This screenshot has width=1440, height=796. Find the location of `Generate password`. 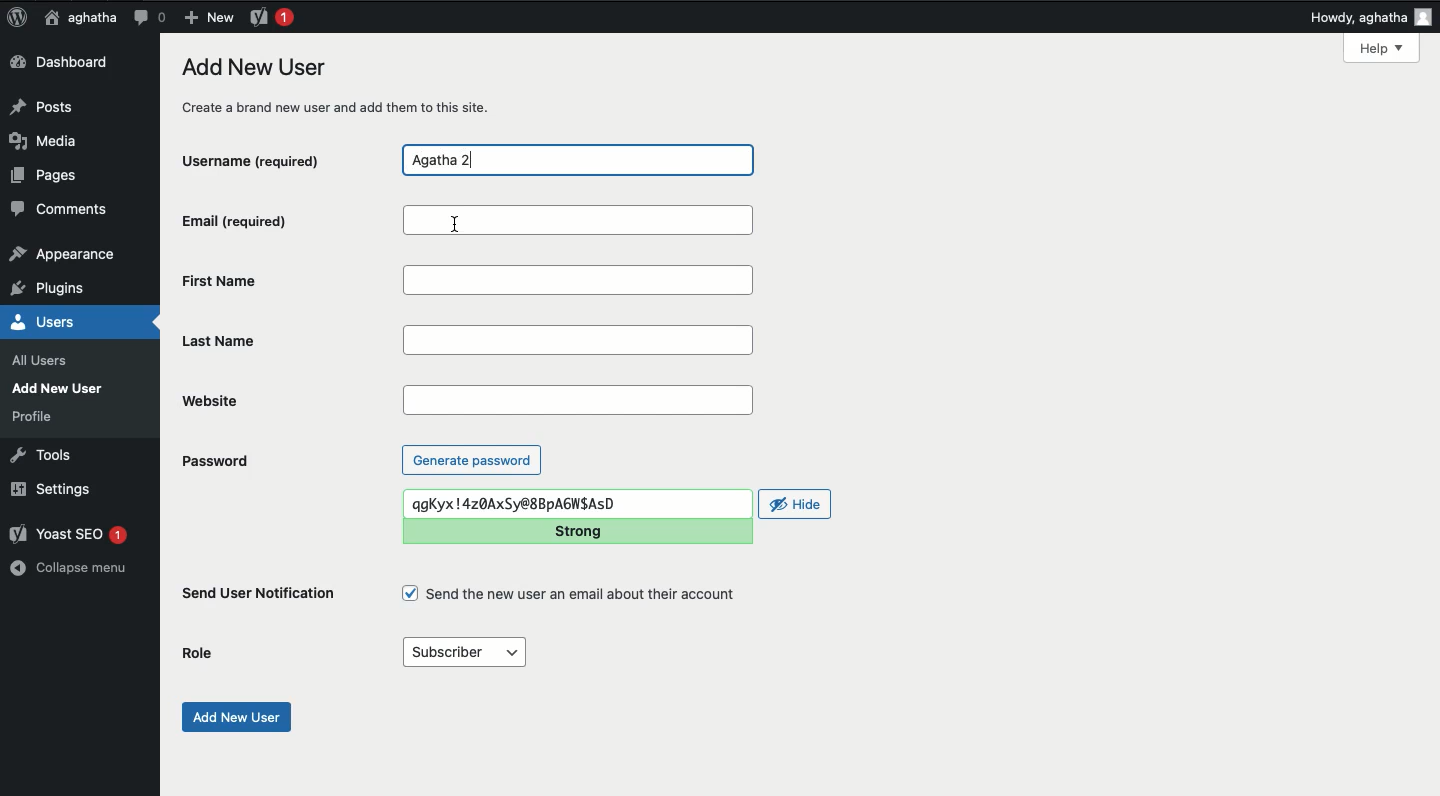

Generate password is located at coordinates (472, 459).